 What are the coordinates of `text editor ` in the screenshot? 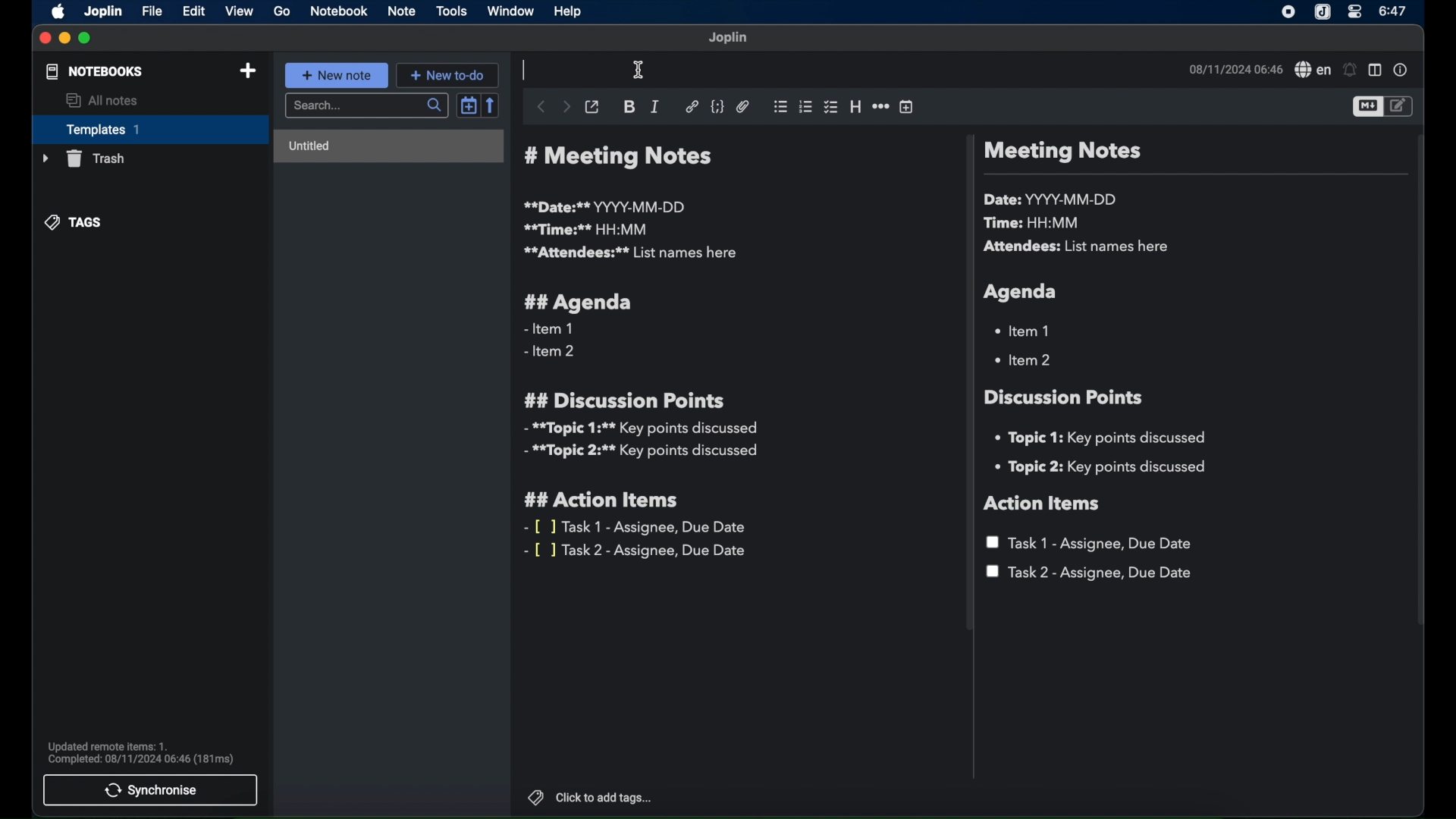 It's located at (526, 68).